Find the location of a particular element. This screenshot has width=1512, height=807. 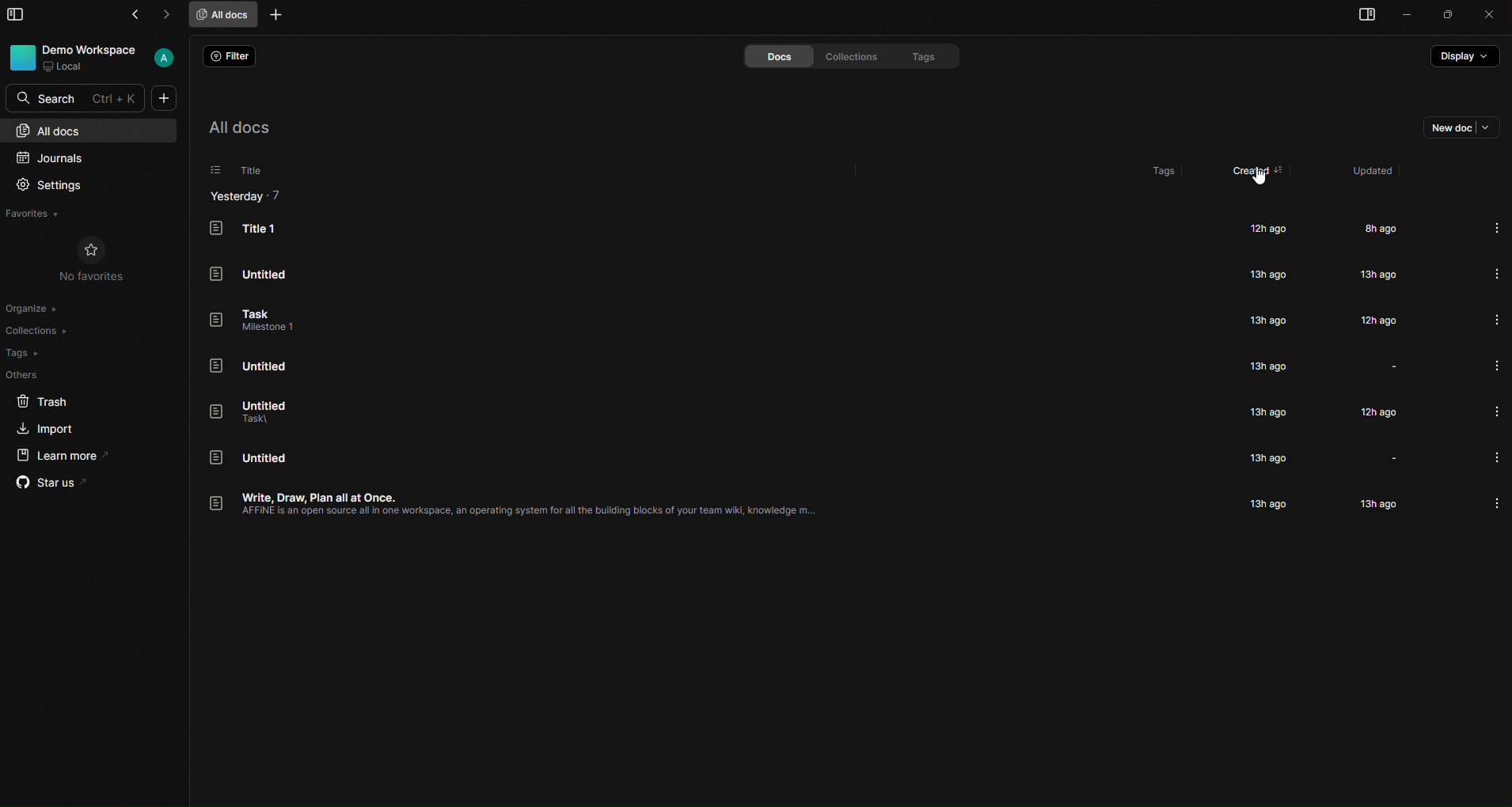

go forward is located at coordinates (171, 13).